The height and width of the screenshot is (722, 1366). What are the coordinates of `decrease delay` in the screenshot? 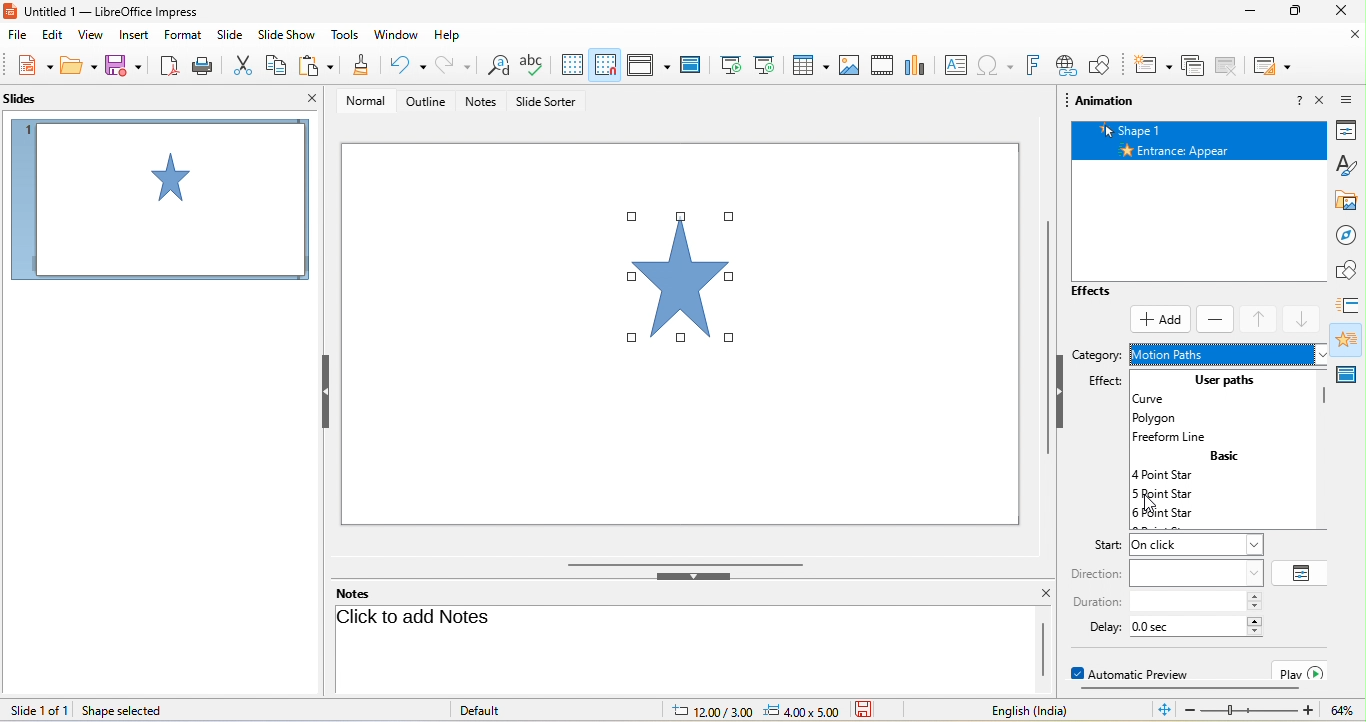 It's located at (1255, 632).